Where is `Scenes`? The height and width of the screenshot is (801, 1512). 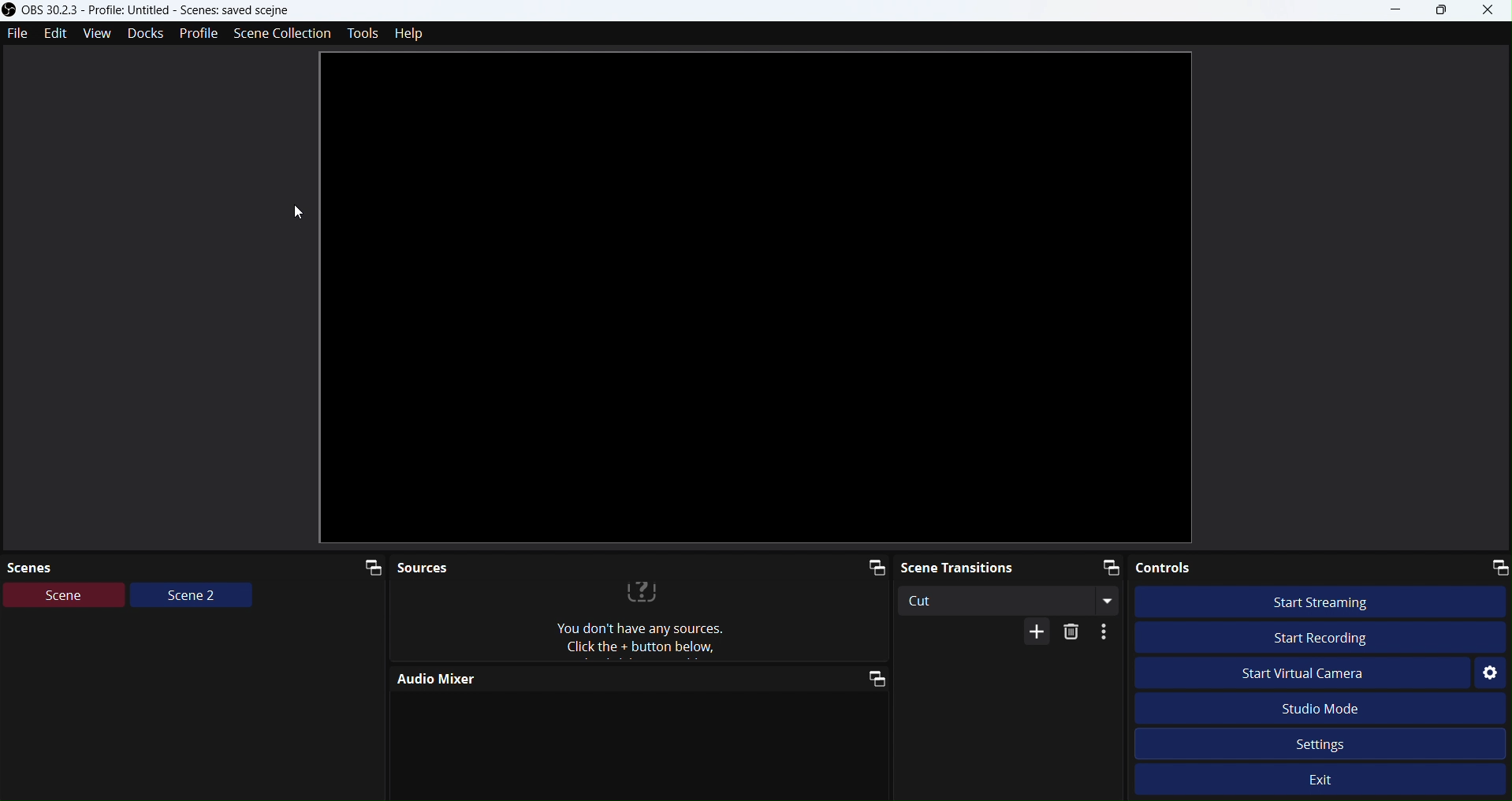
Scenes is located at coordinates (195, 567).